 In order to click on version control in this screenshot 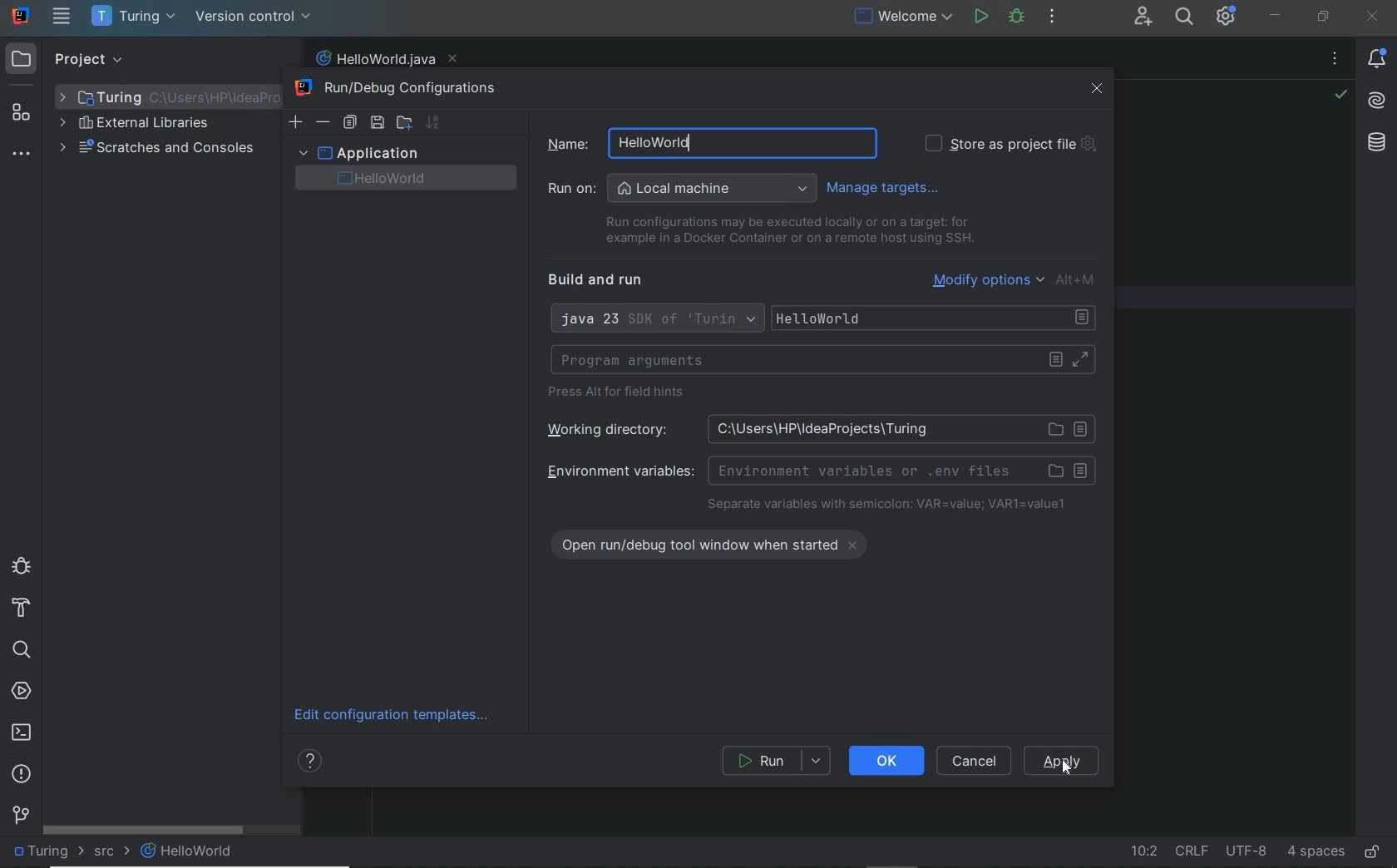, I will do `click(254, 17)`.